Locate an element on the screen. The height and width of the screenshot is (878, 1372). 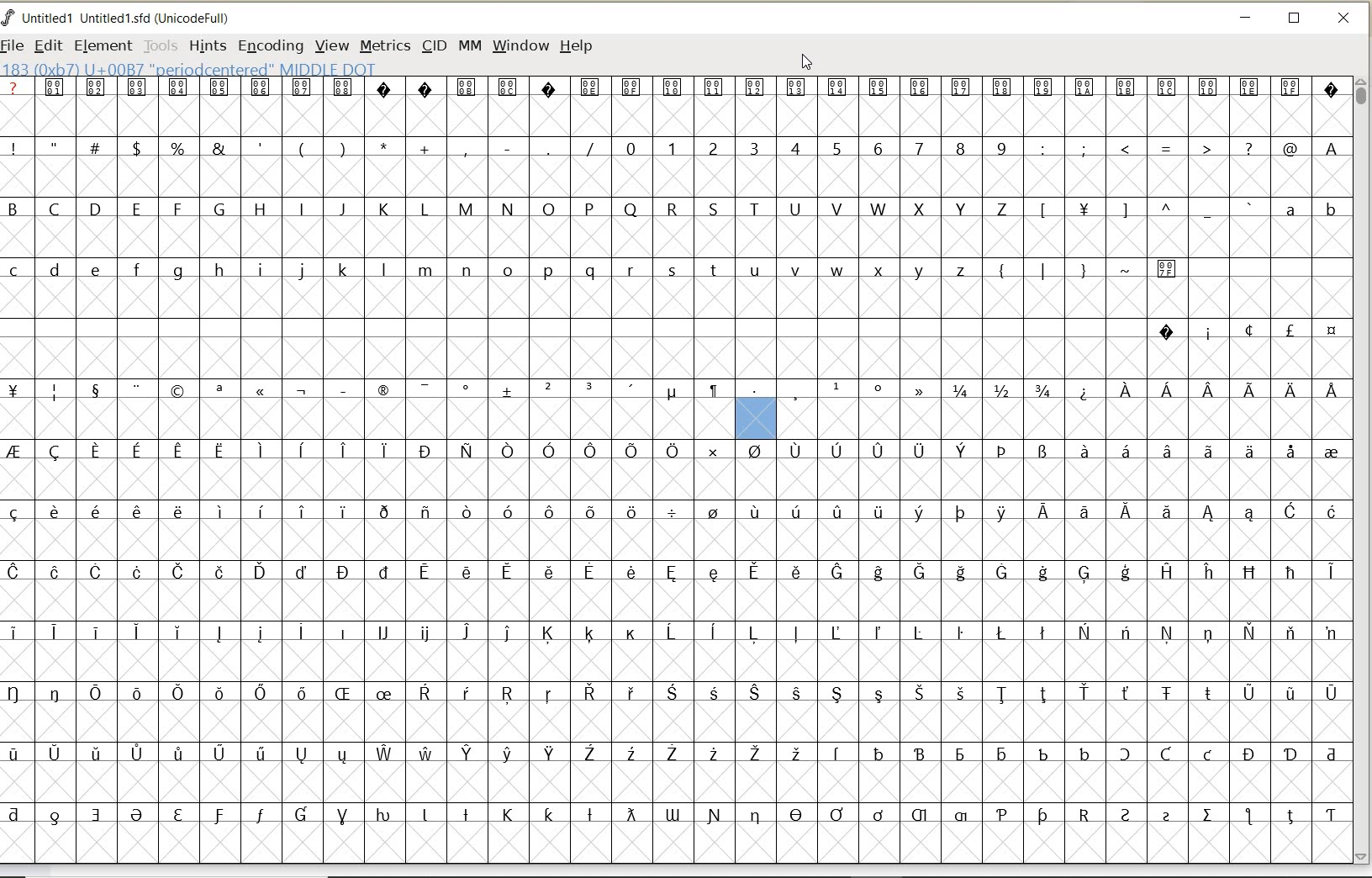
TOOLS is located at coordinates (161, 45).